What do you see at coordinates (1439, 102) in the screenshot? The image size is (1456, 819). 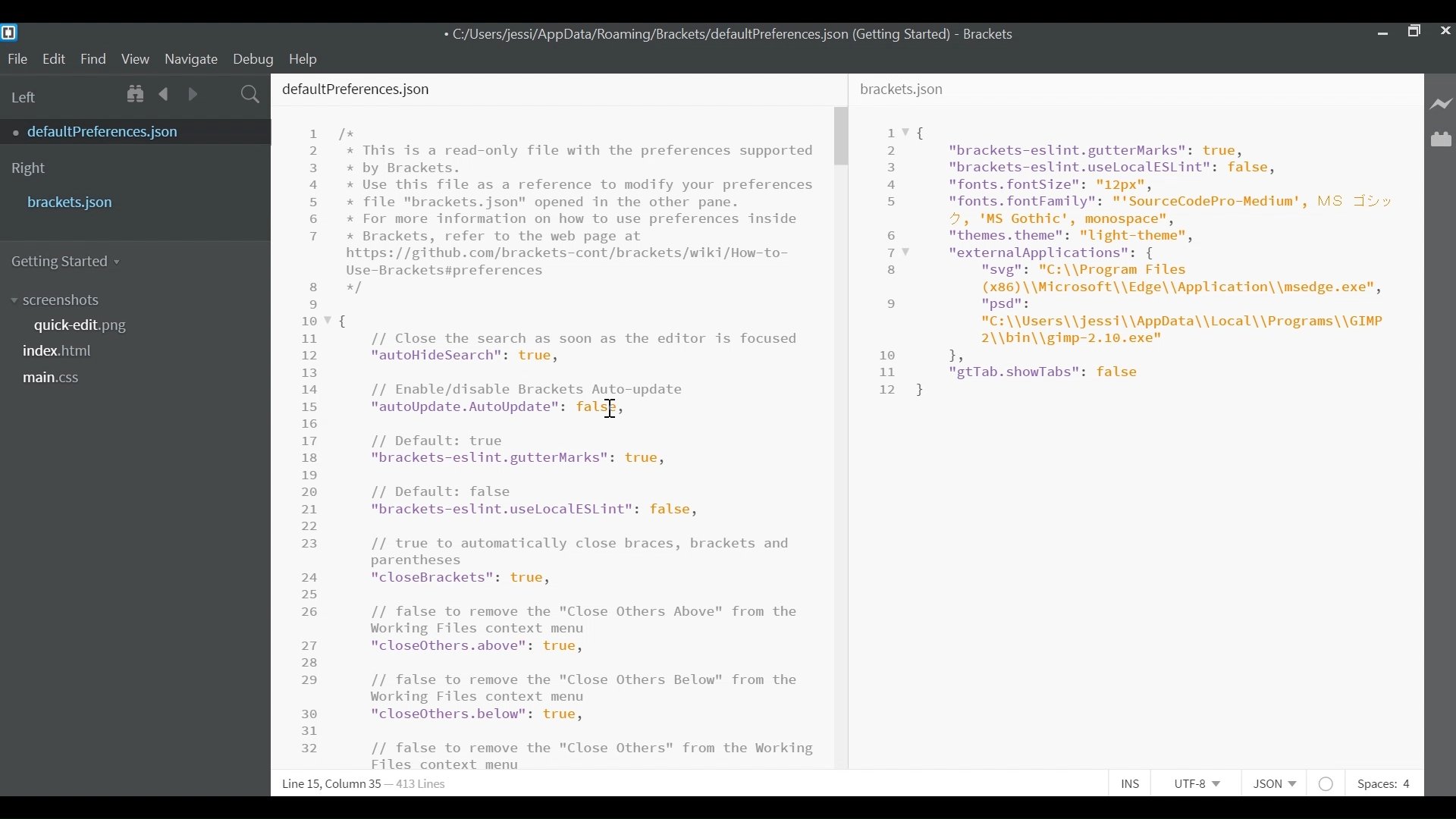 I see `Live Preview` at bounding box center [1439, 102].